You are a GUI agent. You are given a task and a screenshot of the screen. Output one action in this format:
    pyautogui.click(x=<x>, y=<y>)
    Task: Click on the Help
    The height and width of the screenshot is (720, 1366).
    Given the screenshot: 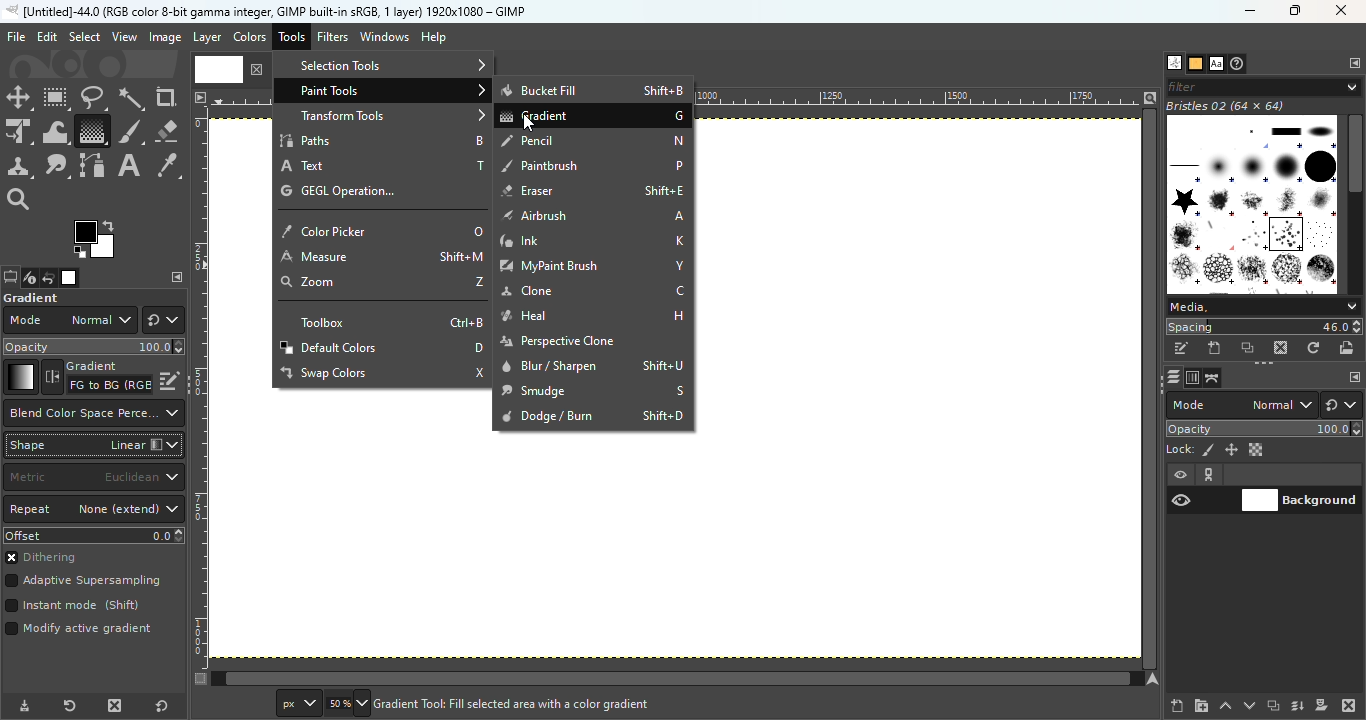 What is the action you would take?
    pyautogui.click(x=436, y=37)
    